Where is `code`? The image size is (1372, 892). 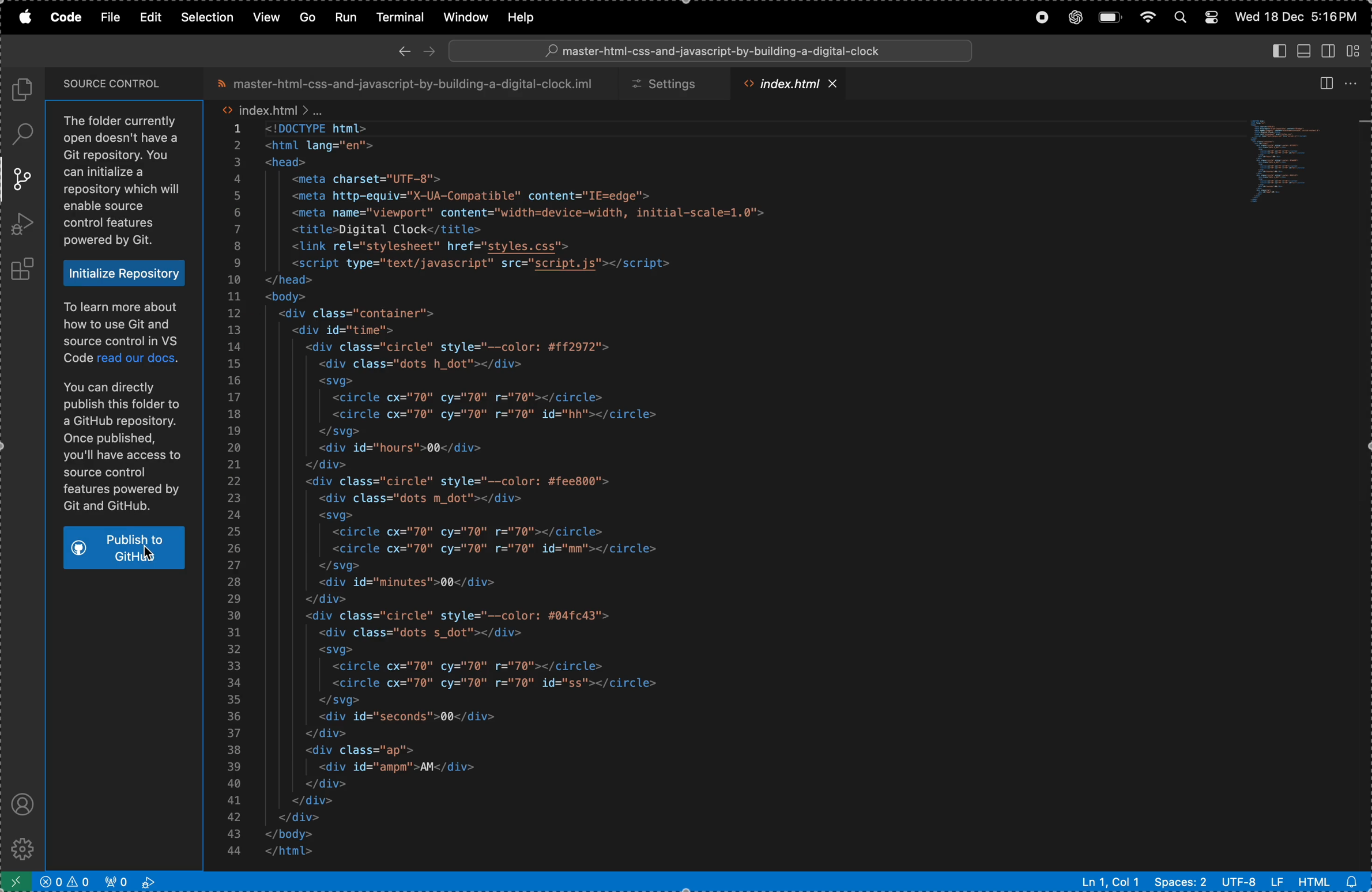 code is located at coordinates (68, 18).